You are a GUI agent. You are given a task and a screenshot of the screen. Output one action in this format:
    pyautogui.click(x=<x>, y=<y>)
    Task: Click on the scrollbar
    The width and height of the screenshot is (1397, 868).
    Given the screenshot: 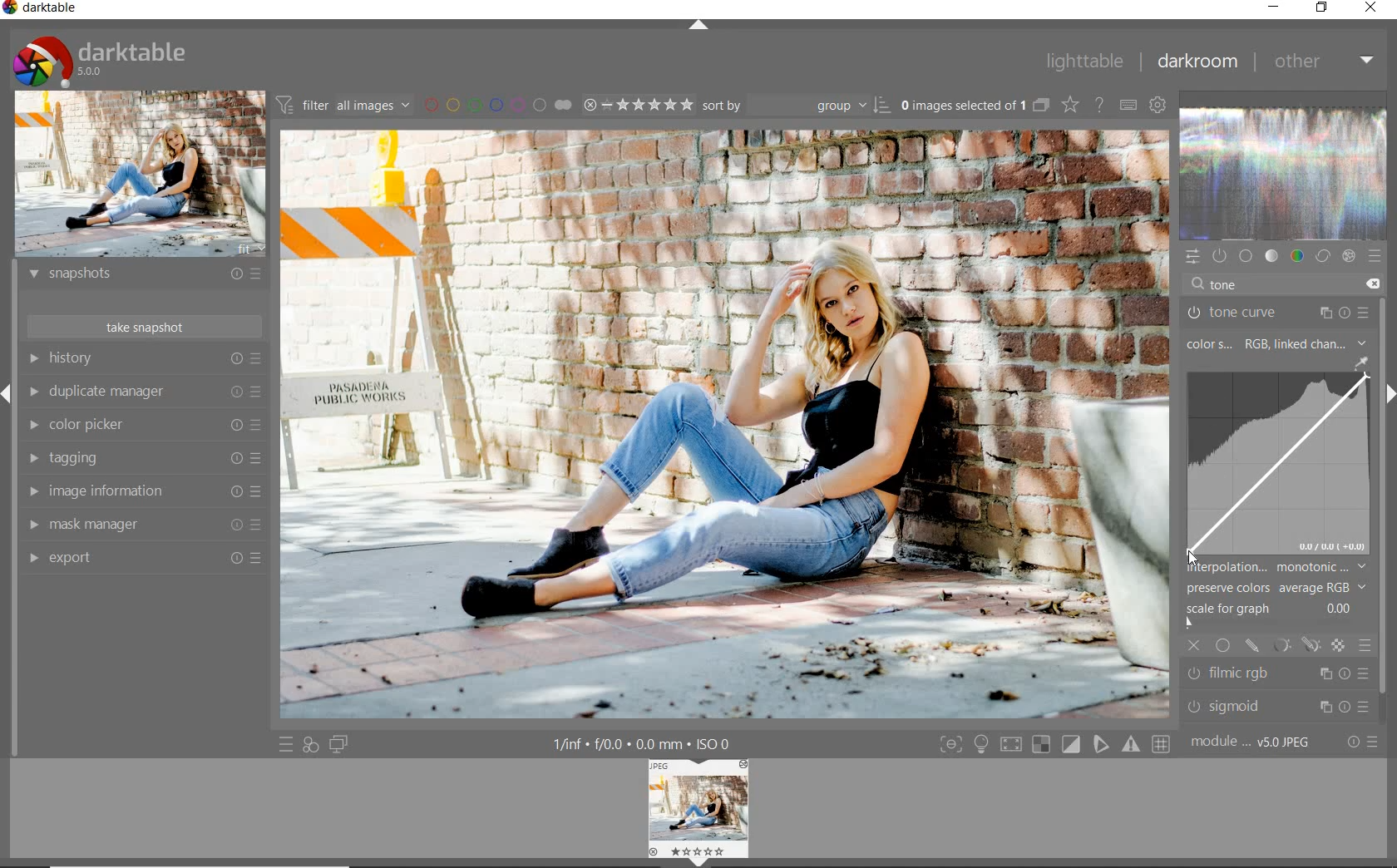 What is the action you would take?
    pyautogui.click(x=1387, y=498)
    